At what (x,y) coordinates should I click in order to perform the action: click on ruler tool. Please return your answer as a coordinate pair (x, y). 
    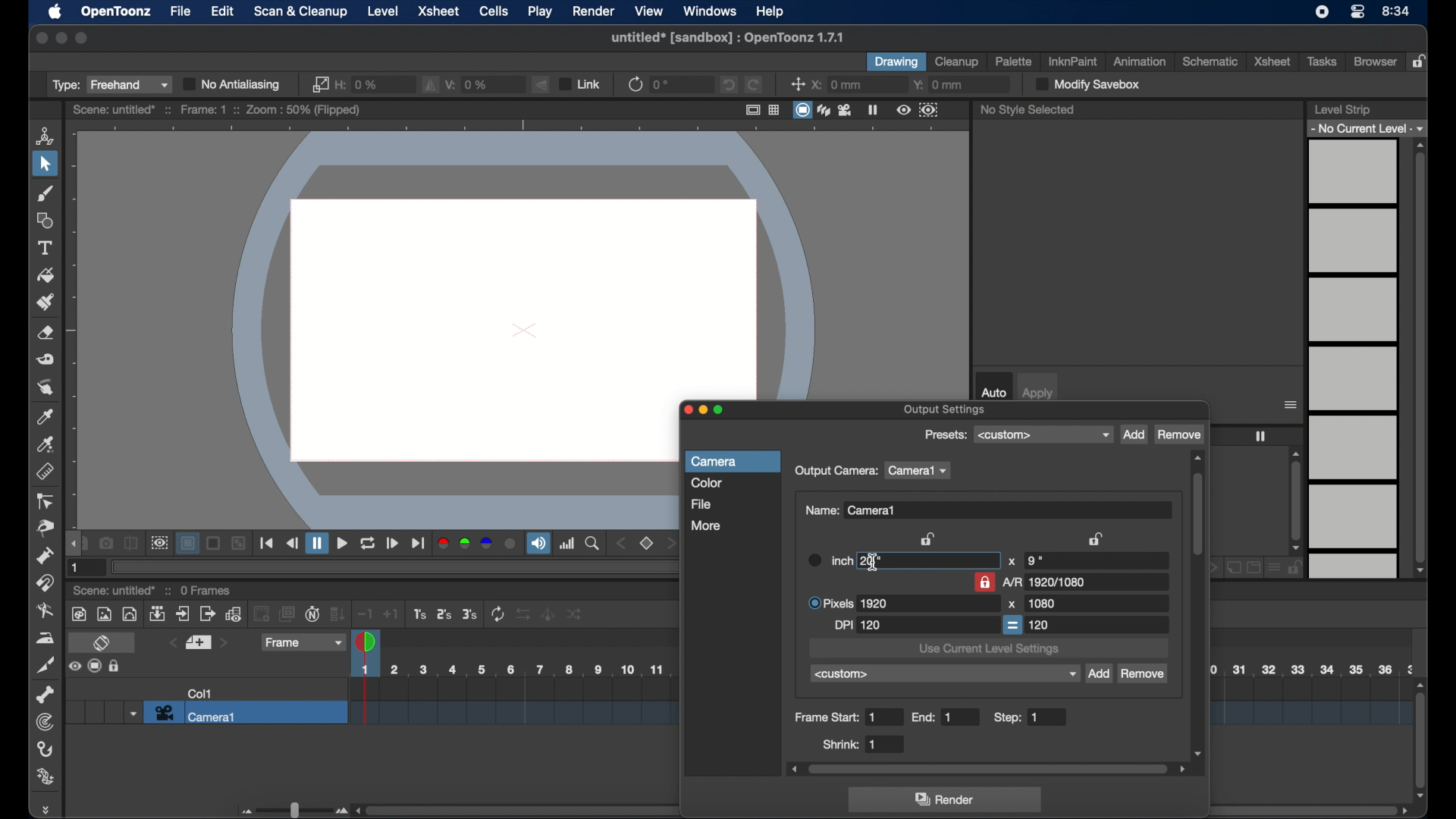
    Looking at the image, I should click on (45, 470).